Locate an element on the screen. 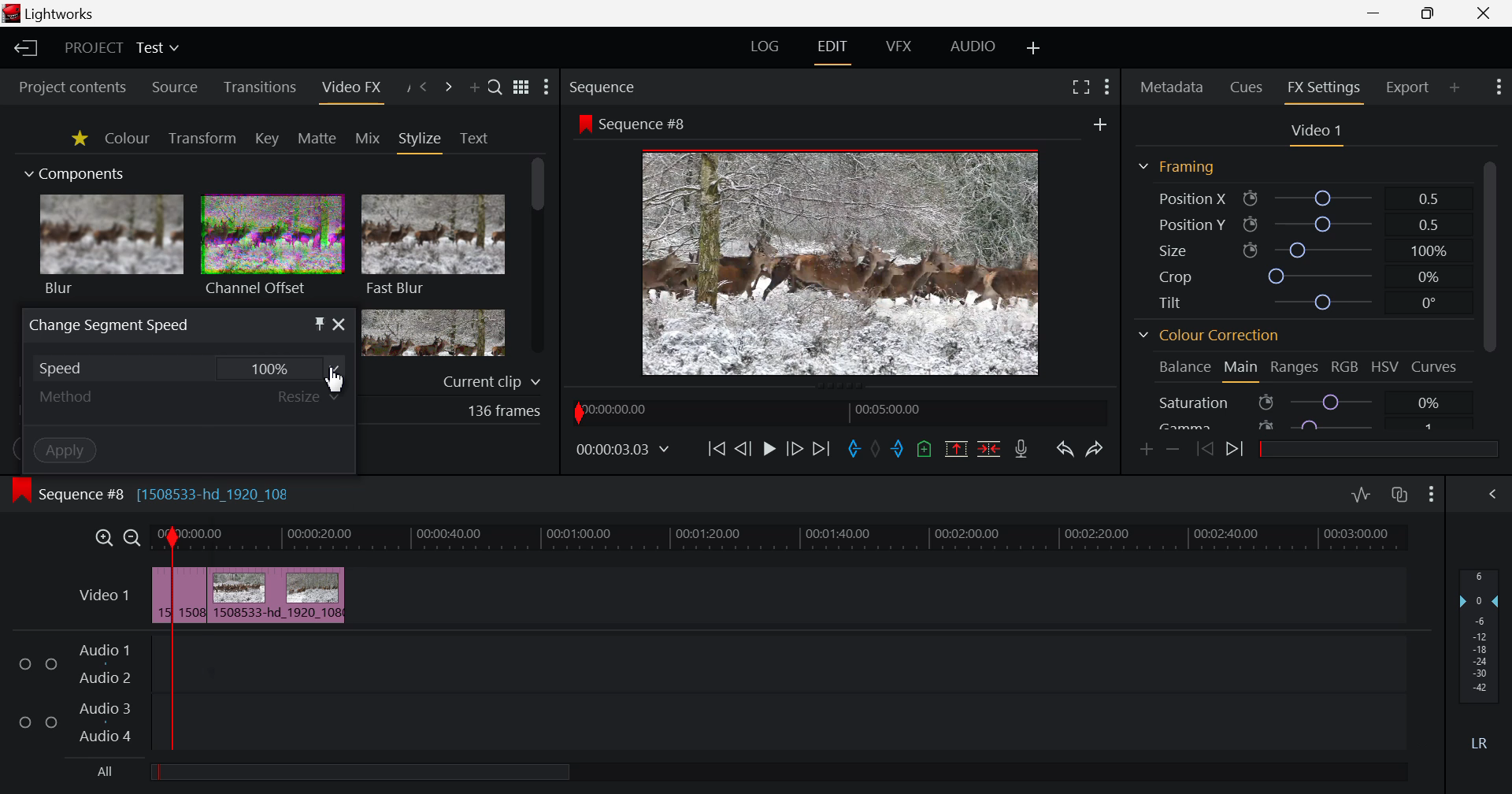 The height and width of the screenshot is (794, 1512). Decibel Level is located at coordinates (1480, 655).